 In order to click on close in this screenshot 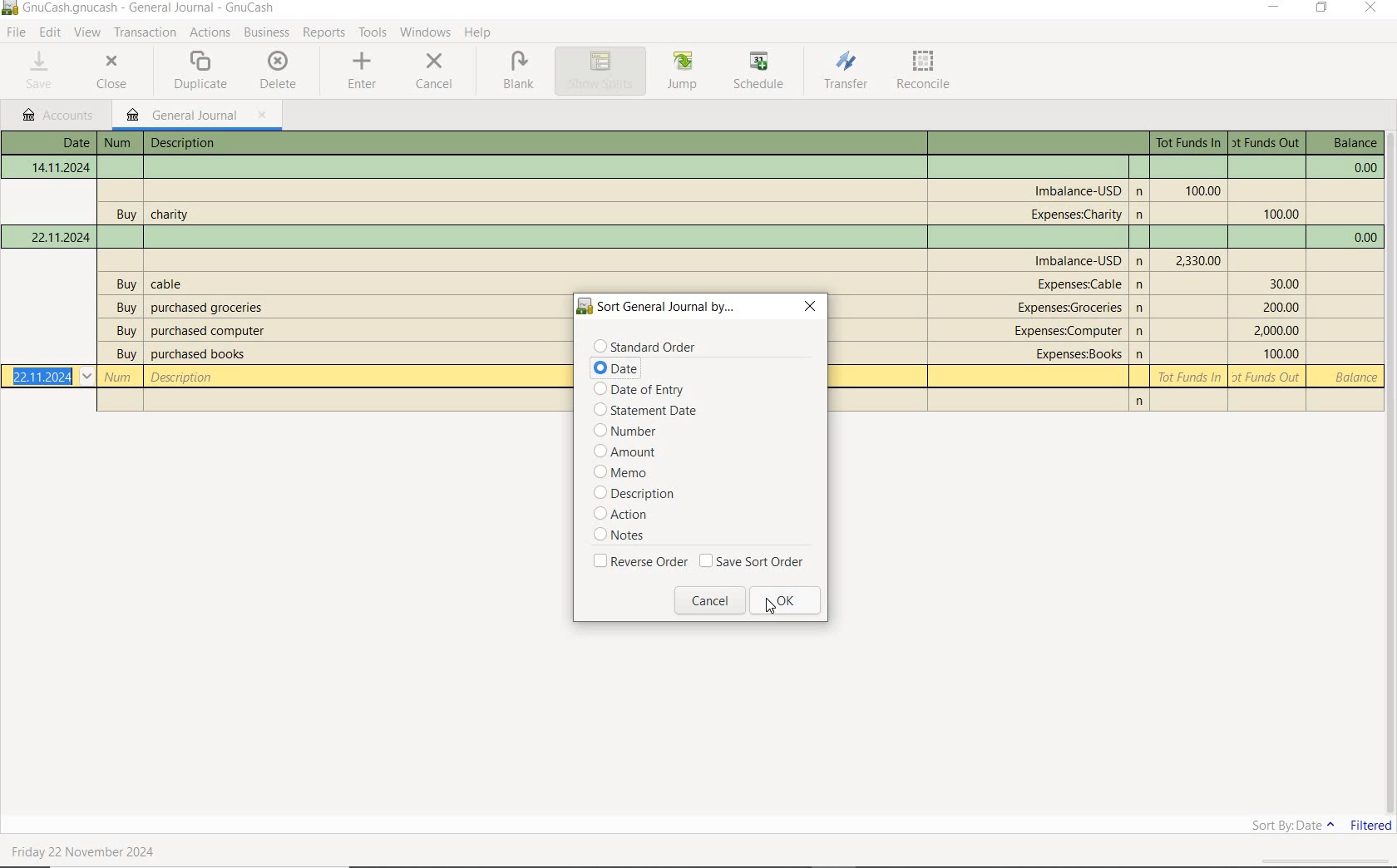, I will do `click(812, 307)`.